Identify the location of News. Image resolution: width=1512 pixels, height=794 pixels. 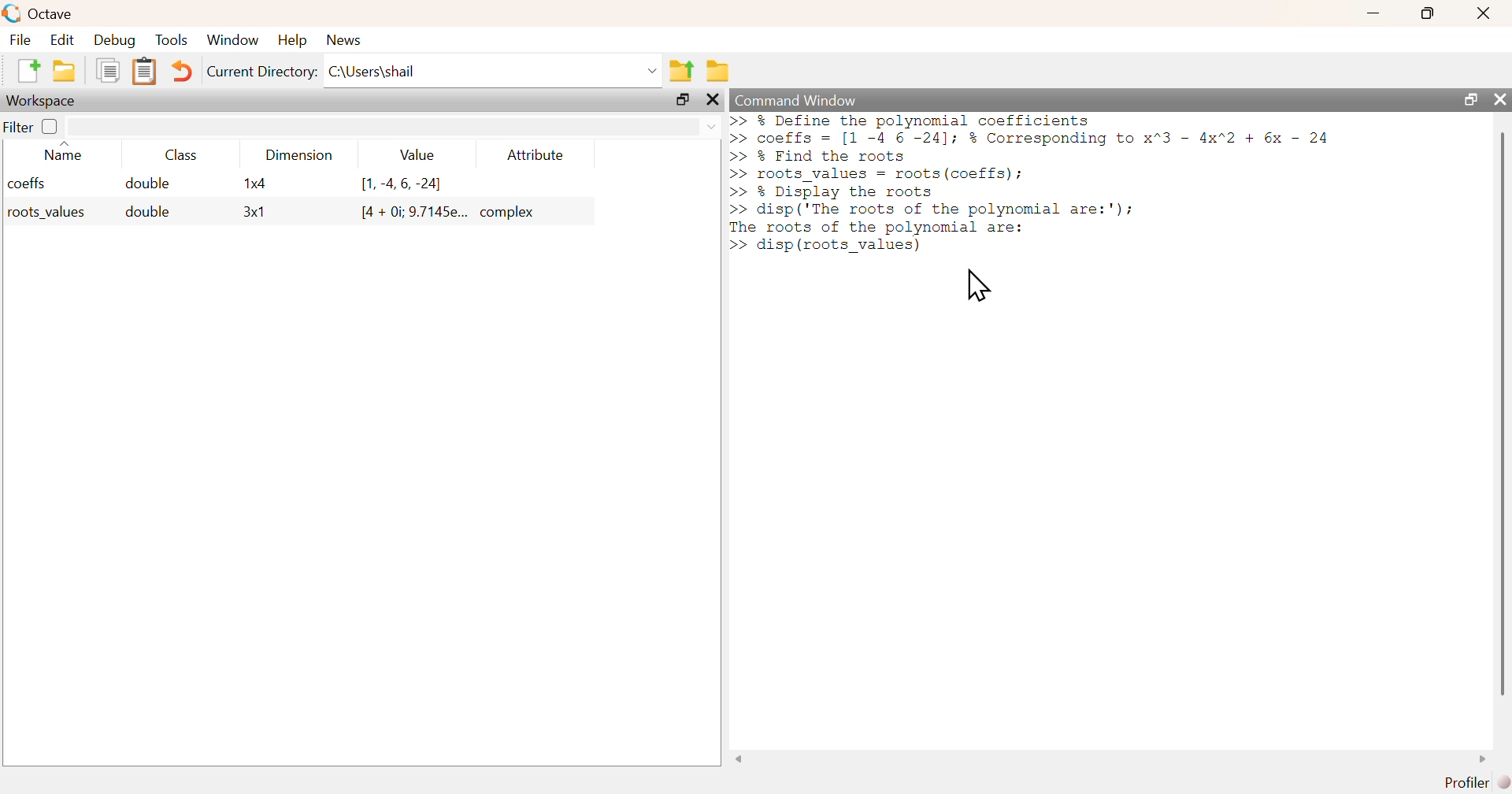
(343, 39).